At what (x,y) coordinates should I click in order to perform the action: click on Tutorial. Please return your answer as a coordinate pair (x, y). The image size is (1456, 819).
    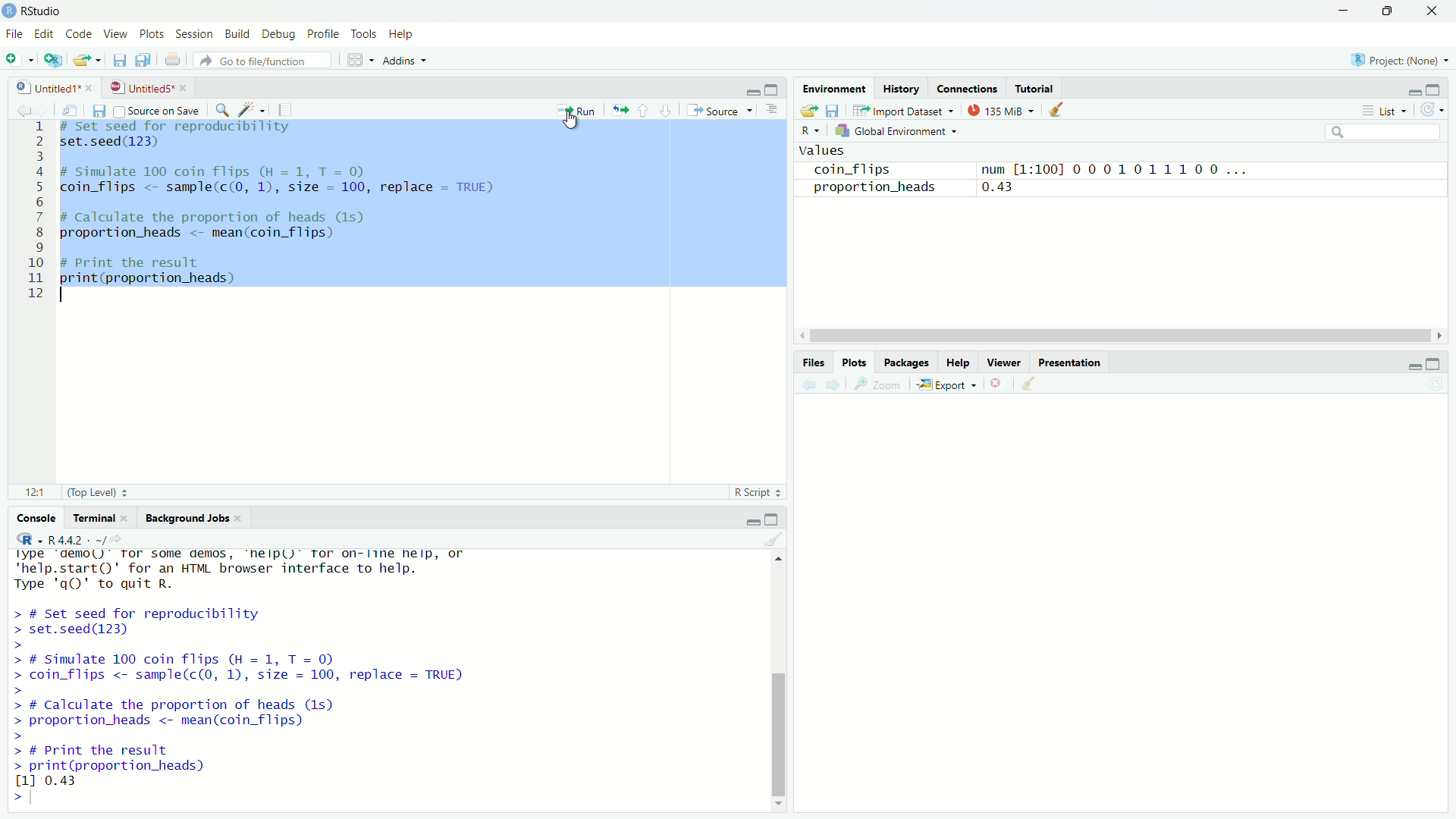
    Looking at the image, I should click on (1034, 86).